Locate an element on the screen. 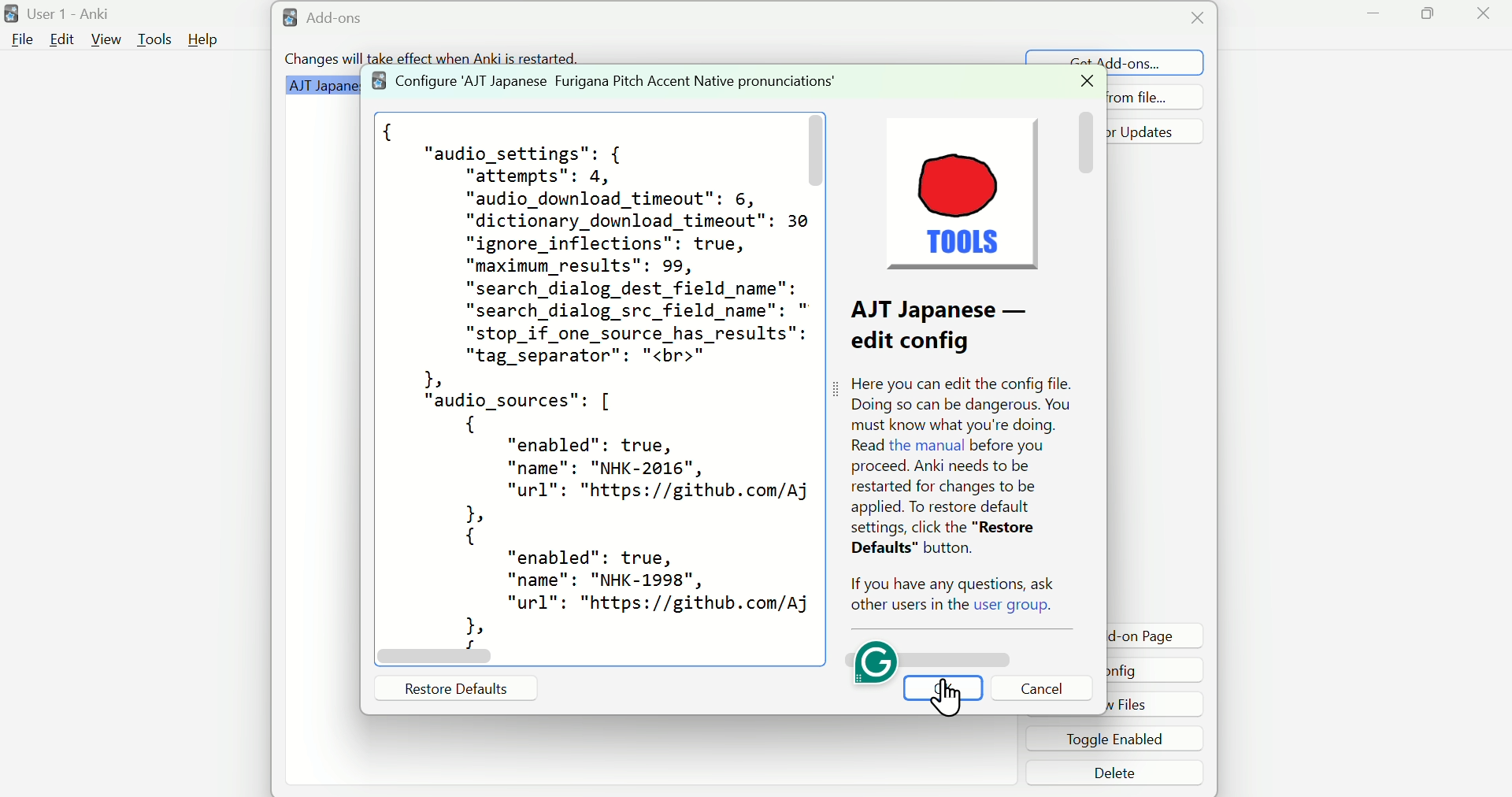 This screenshot has width=1512, height=797. Grammarly is located at coordinates (879, 662).